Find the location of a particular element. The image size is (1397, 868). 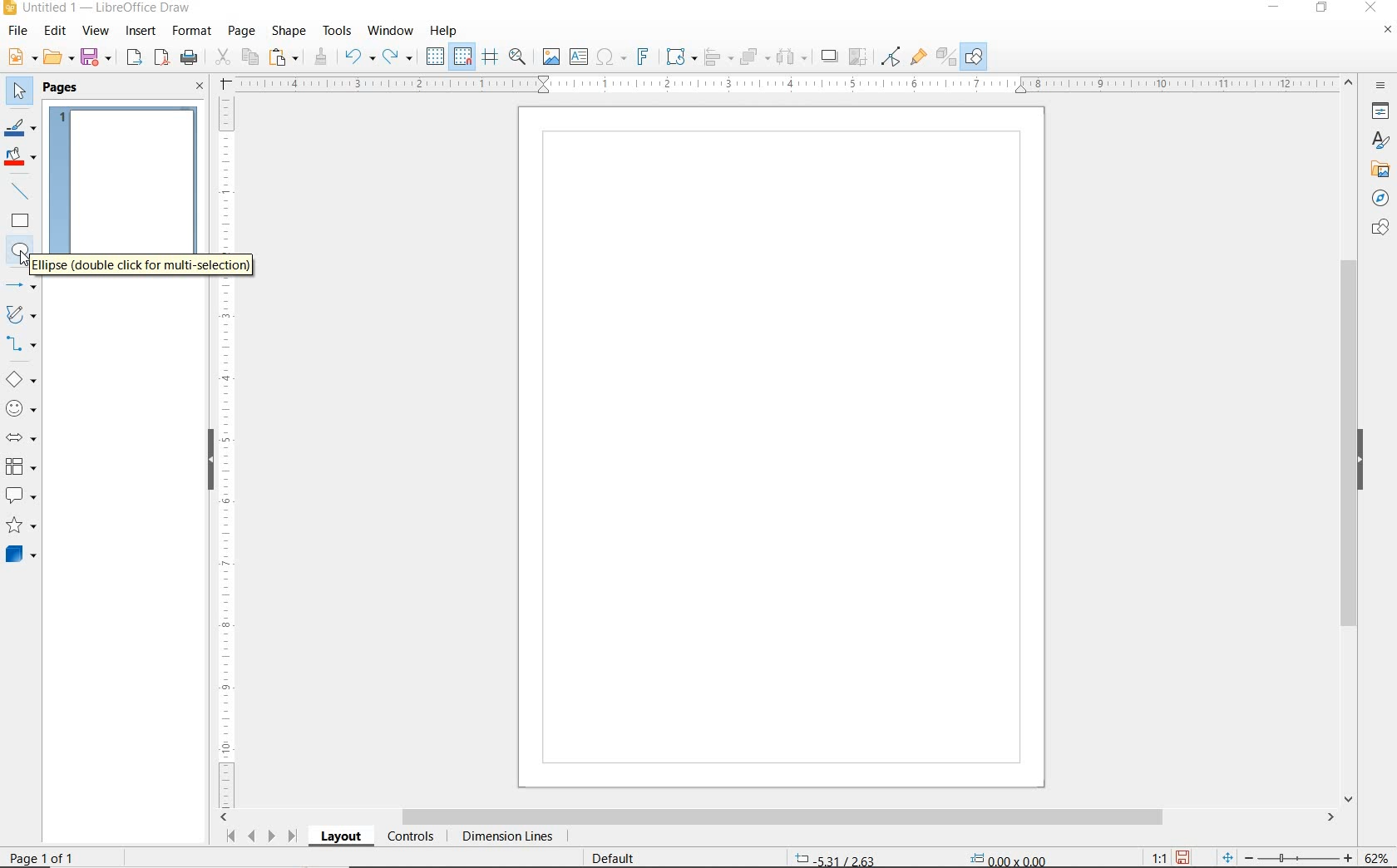

SIDEBAR SETTINGS is located at coordinates (1381, 86).